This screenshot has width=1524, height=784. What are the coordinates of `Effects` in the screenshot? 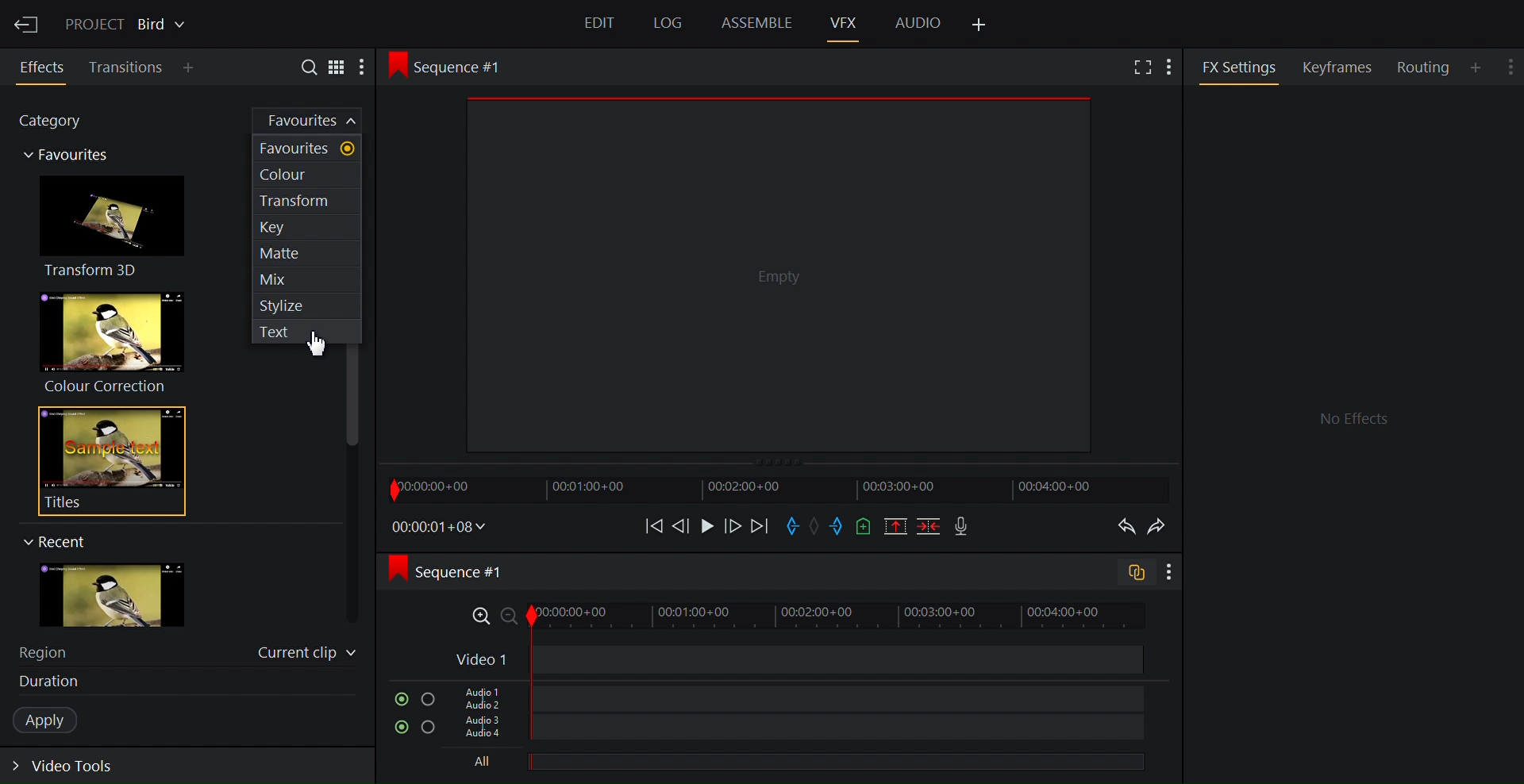 It's located at (44, 67).